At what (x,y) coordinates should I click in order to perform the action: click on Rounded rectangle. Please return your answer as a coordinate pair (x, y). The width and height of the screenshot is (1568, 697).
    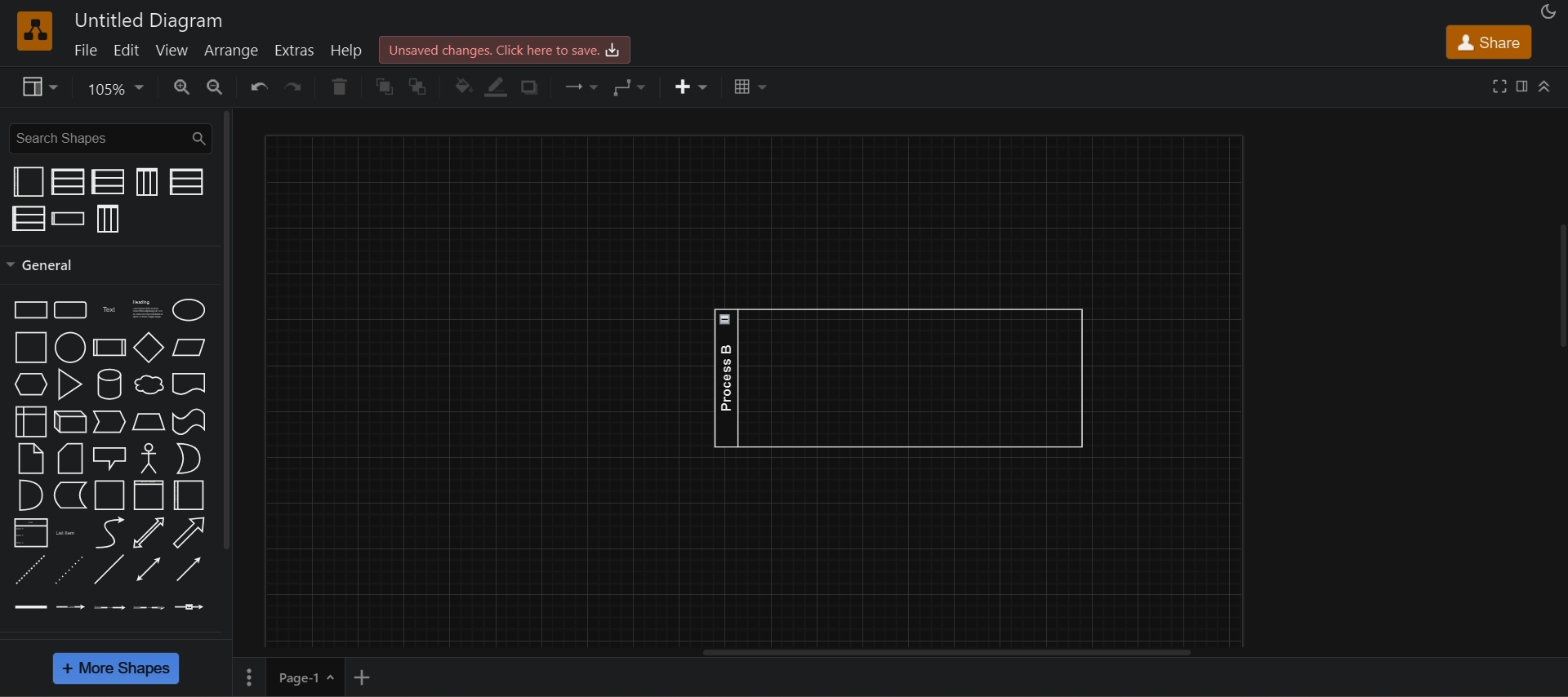
    Looking at the image, I should click on (71, 310).